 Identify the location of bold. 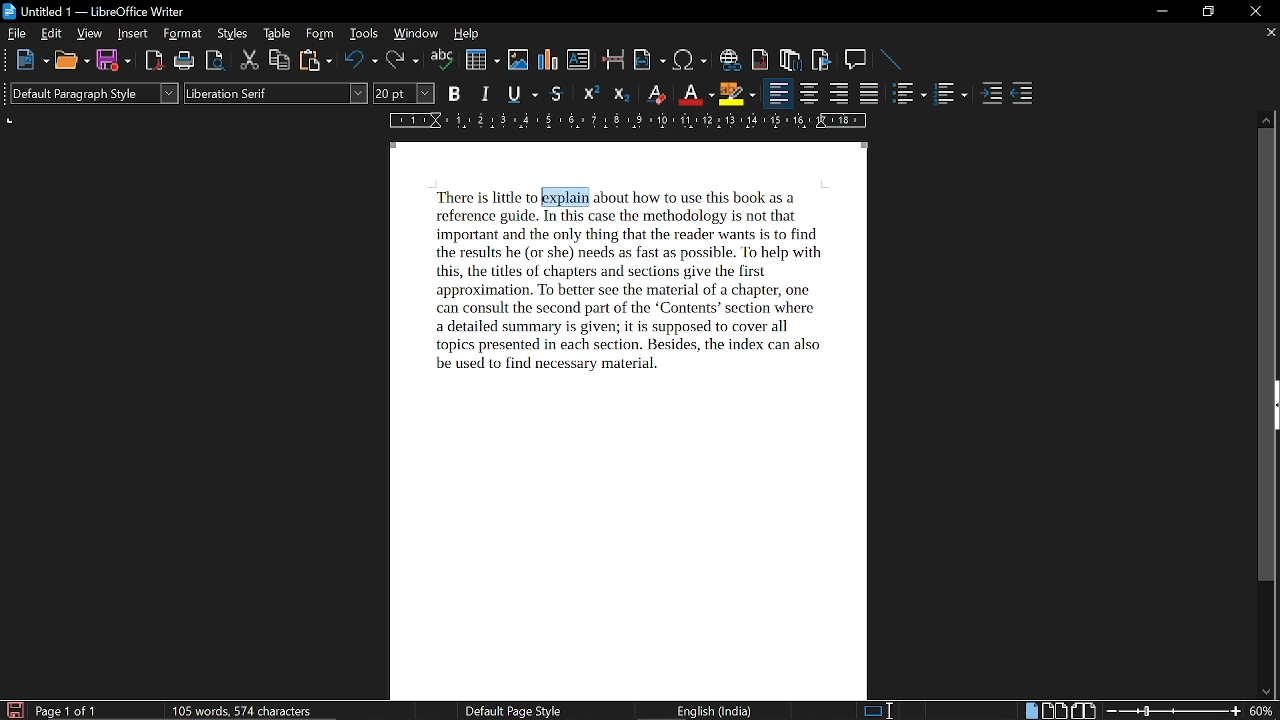
(455, 94).